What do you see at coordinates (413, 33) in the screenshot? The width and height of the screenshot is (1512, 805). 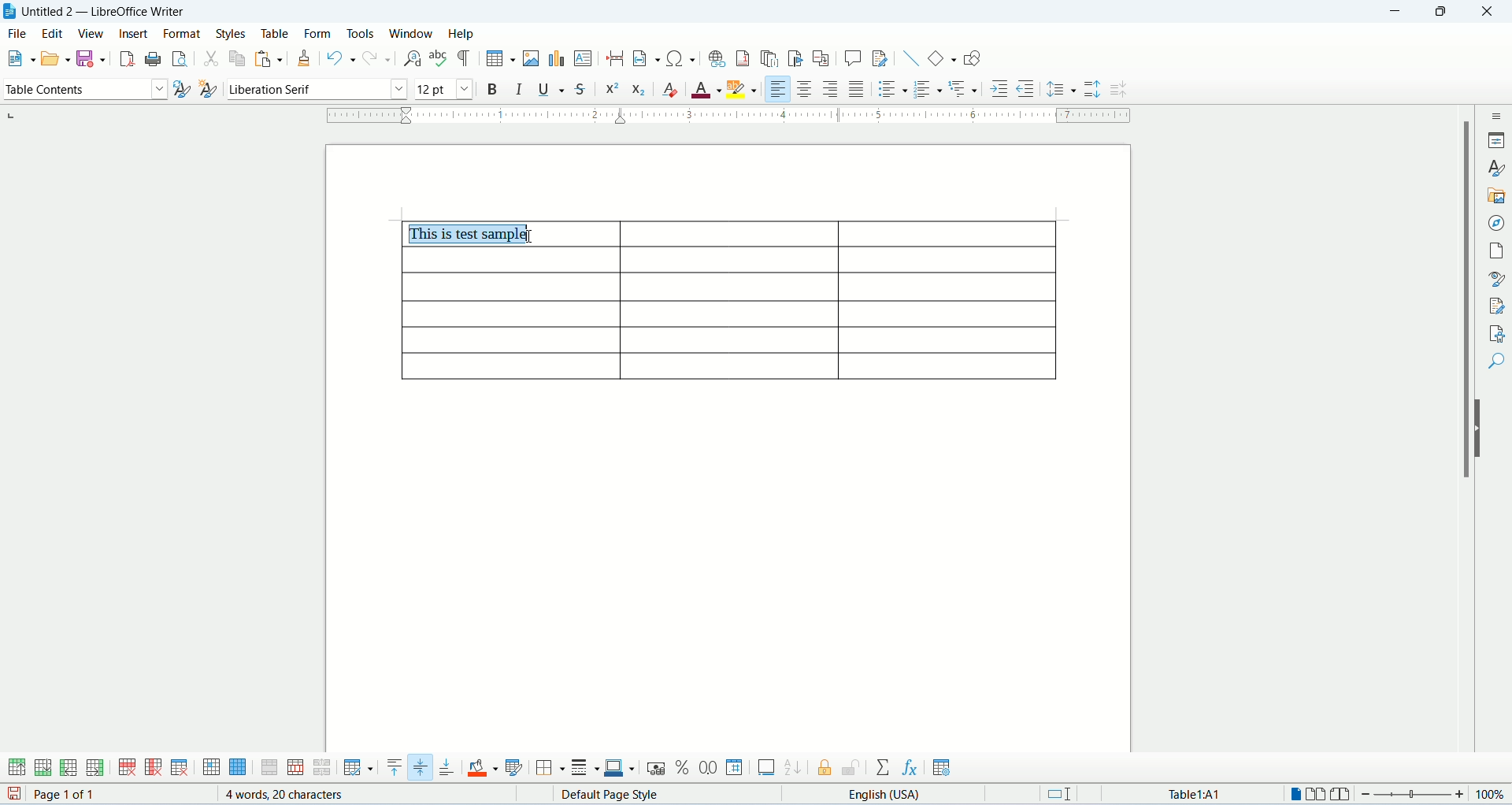 I see `window` at bounding box center [413, 33].